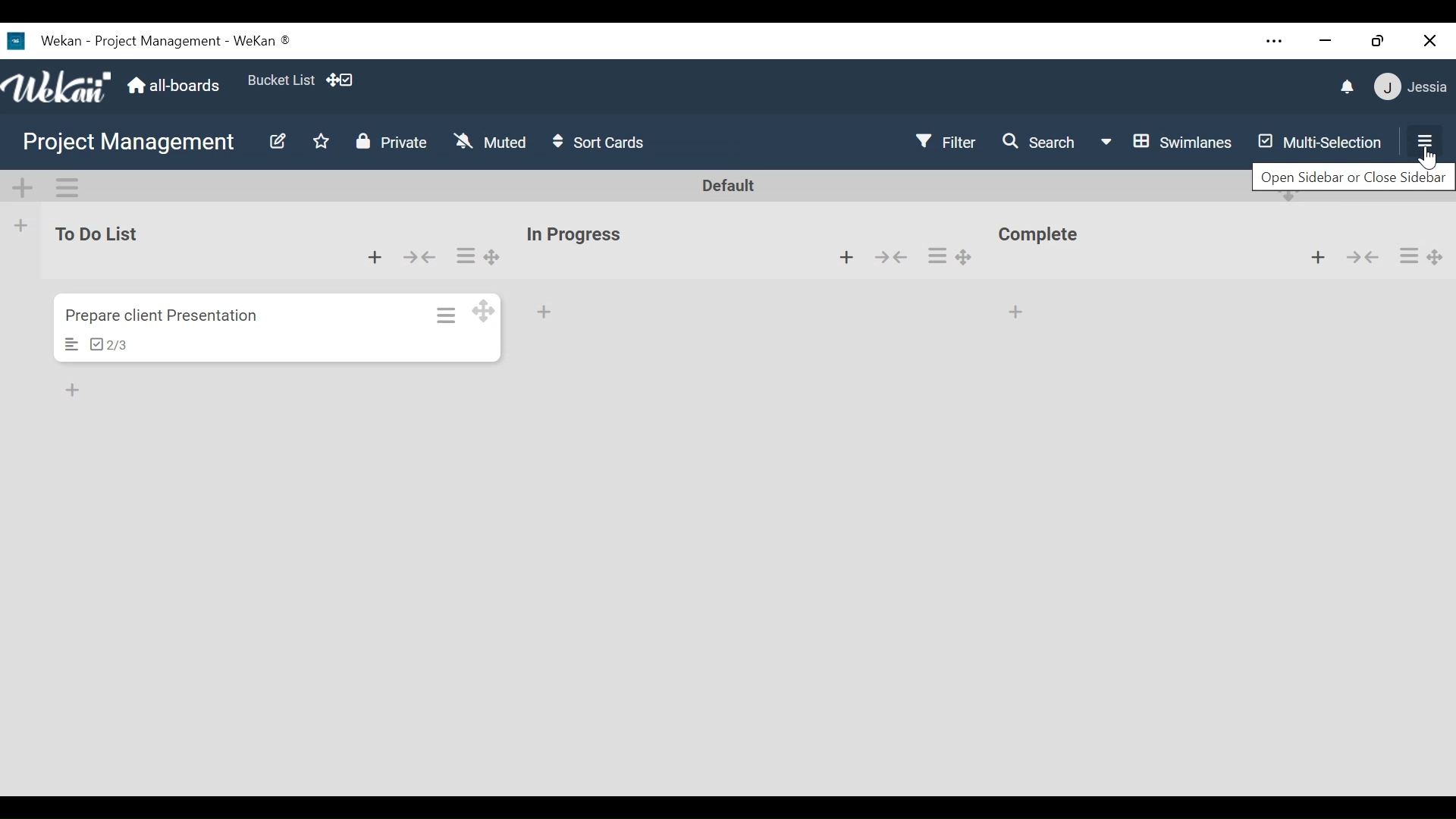 The height and width of the screenshot is (819, 1456). What do you see at coordinates (21, 225) in the screenshot?
I see `Add list` at bounding box center [21, 225].